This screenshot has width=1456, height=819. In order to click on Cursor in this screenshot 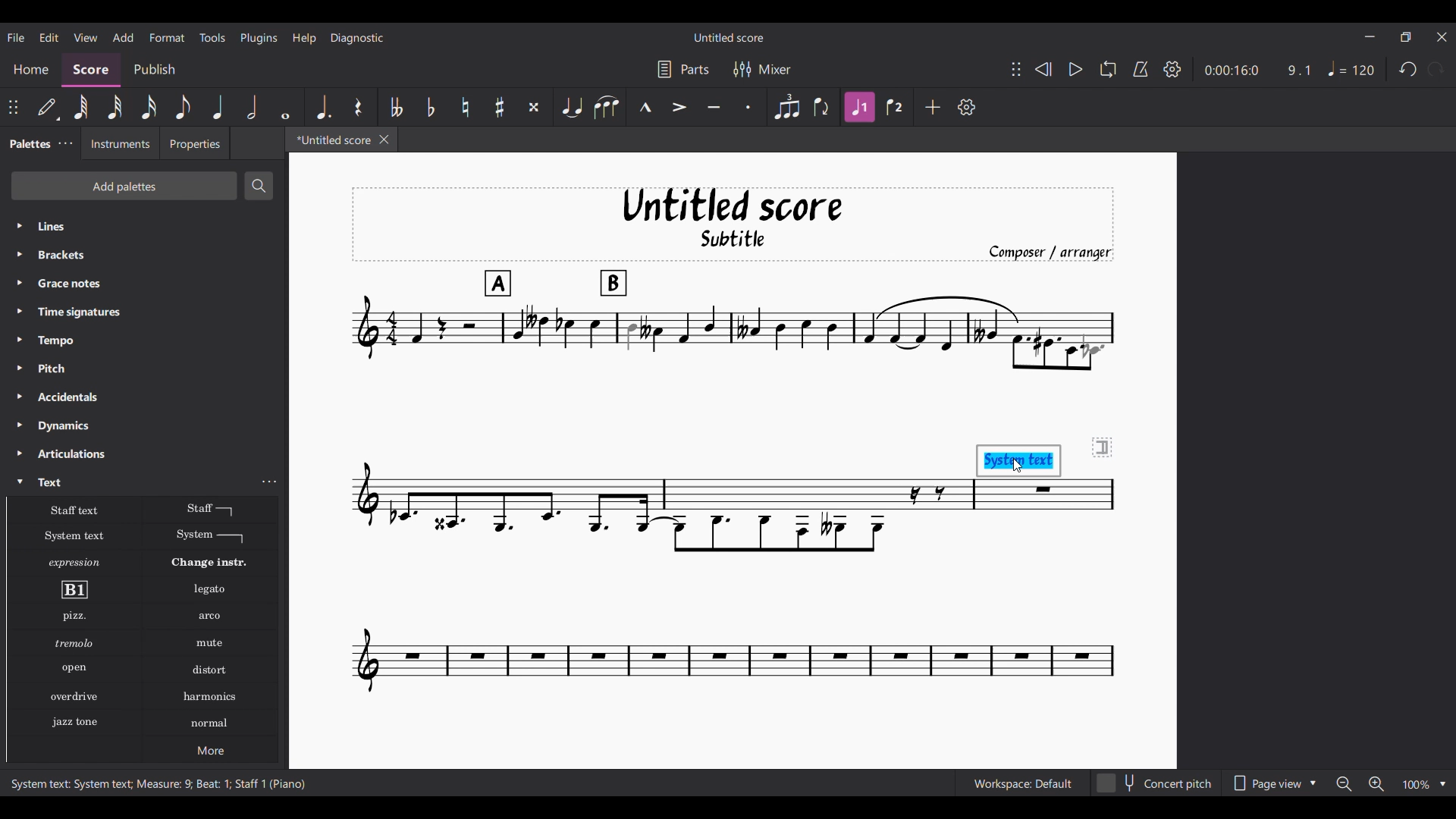, I will do `click(1018, 466)`.